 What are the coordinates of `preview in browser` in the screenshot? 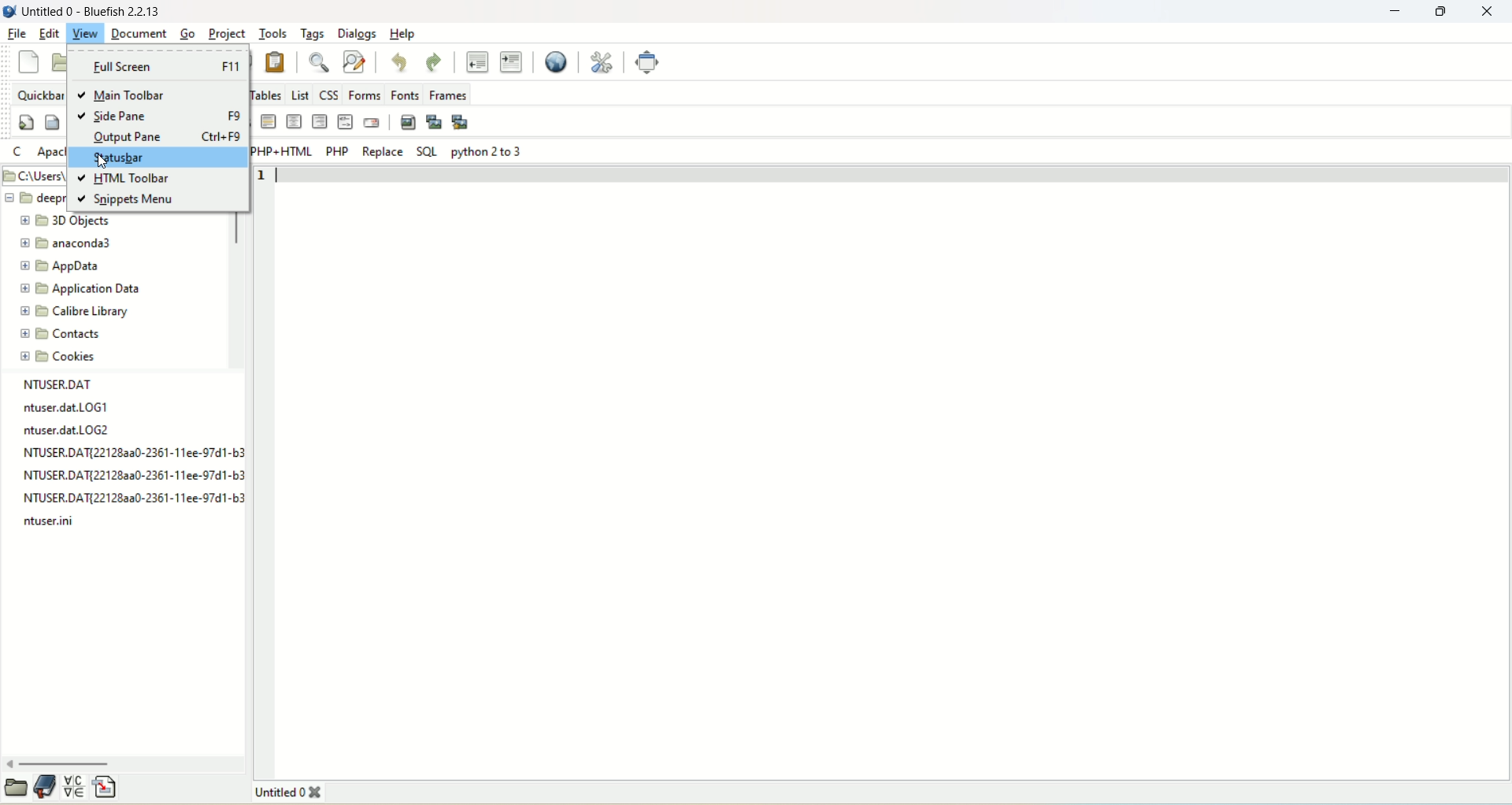 It's located at (550, 63).